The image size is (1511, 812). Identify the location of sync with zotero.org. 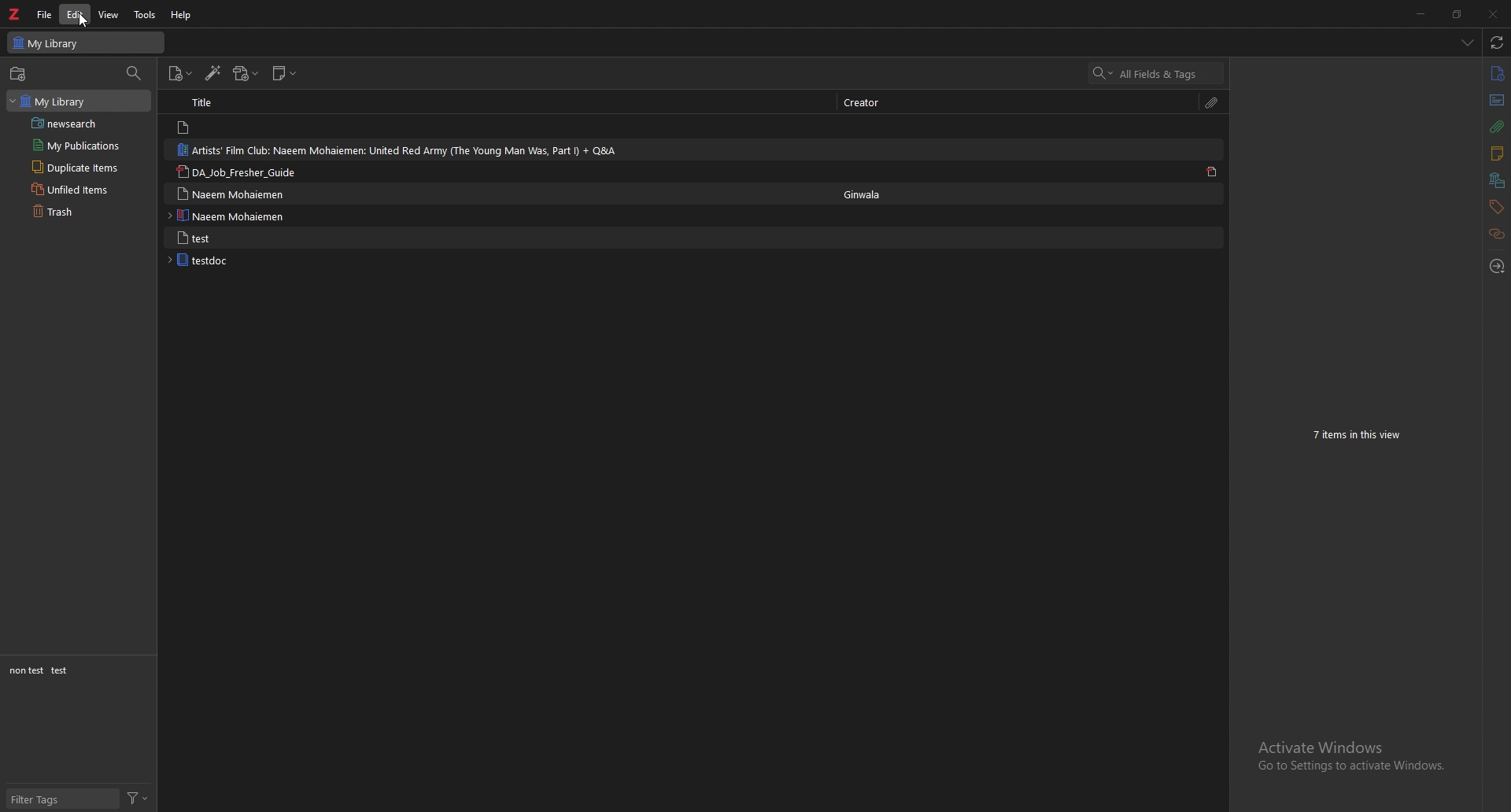
(1495, 42).